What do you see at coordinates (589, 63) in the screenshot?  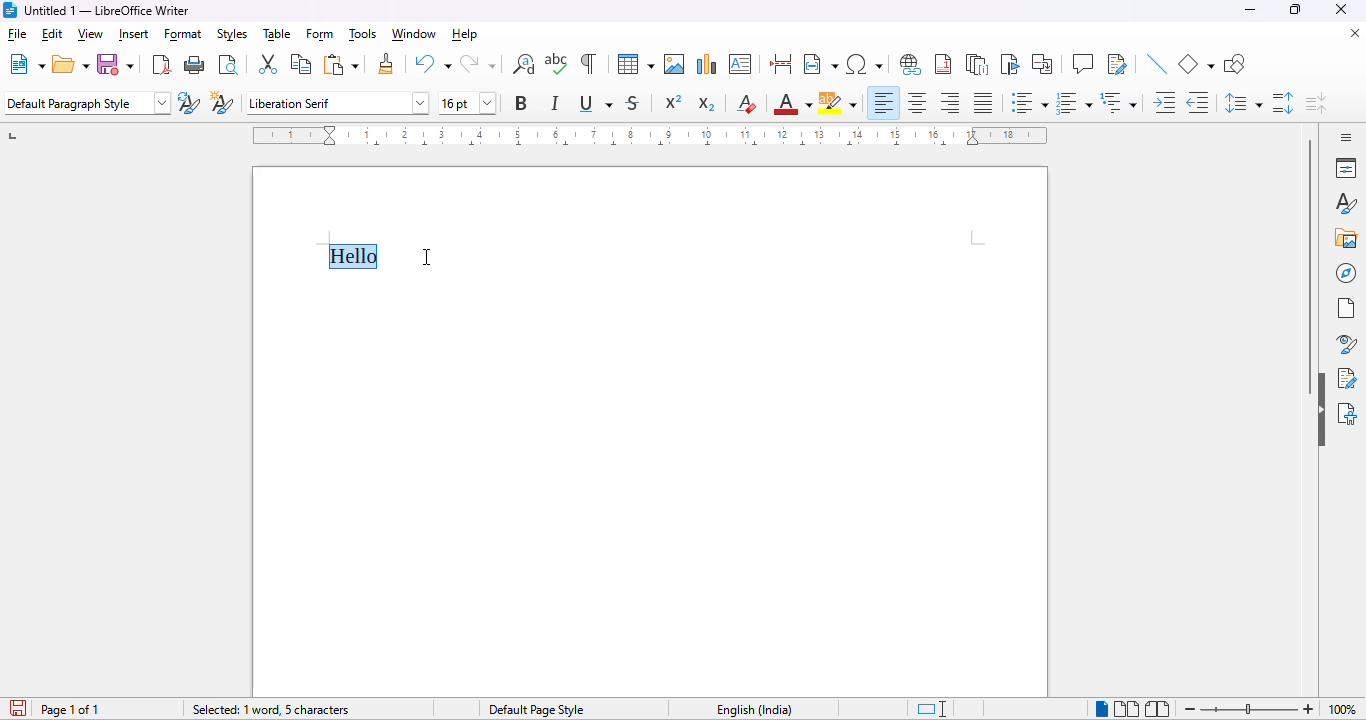 I see `toggle formatting marks` at bounding box center [589, 63].